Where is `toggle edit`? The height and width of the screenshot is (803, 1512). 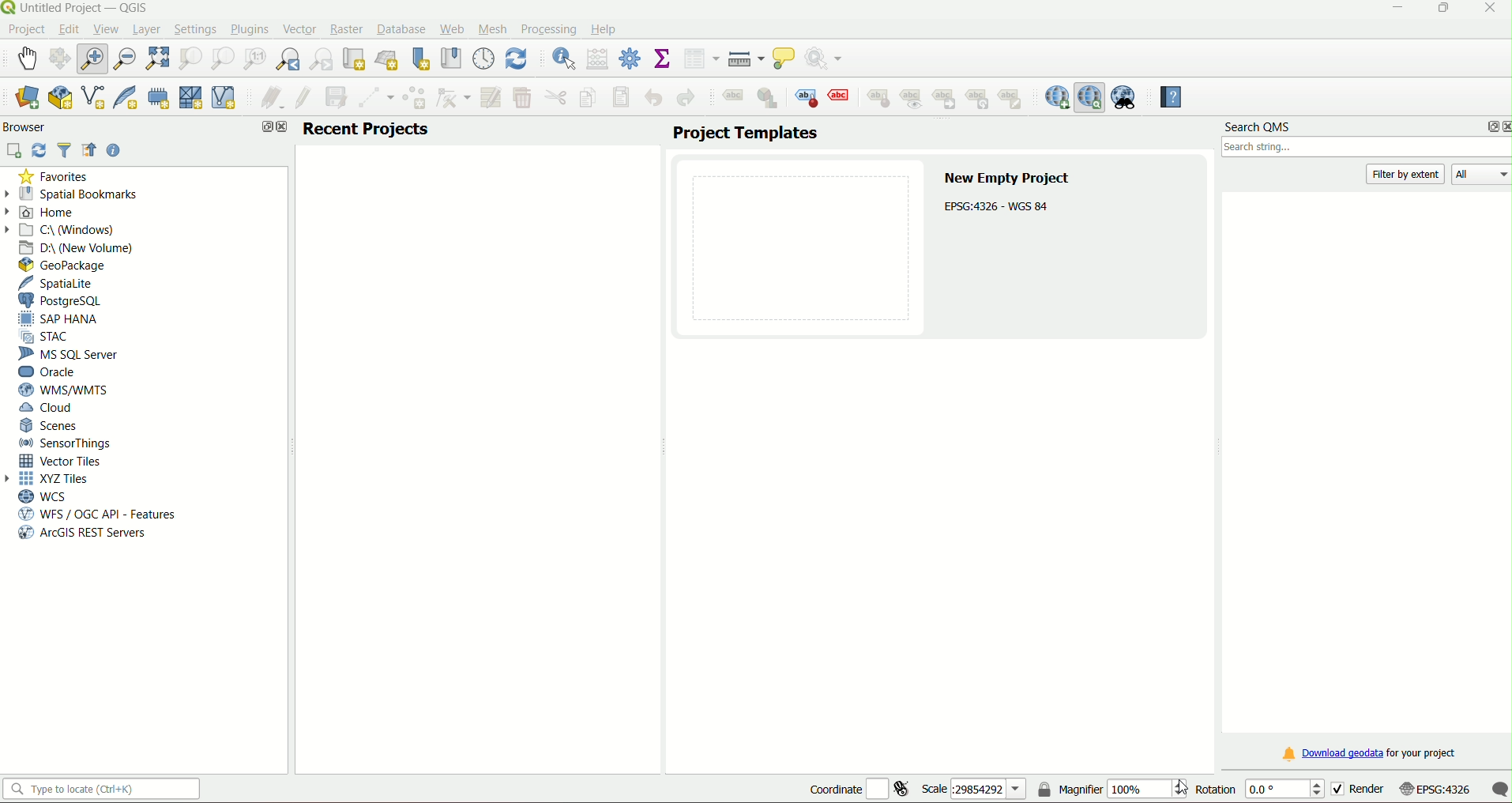
toggle edit is located at coordinates (302, 98).